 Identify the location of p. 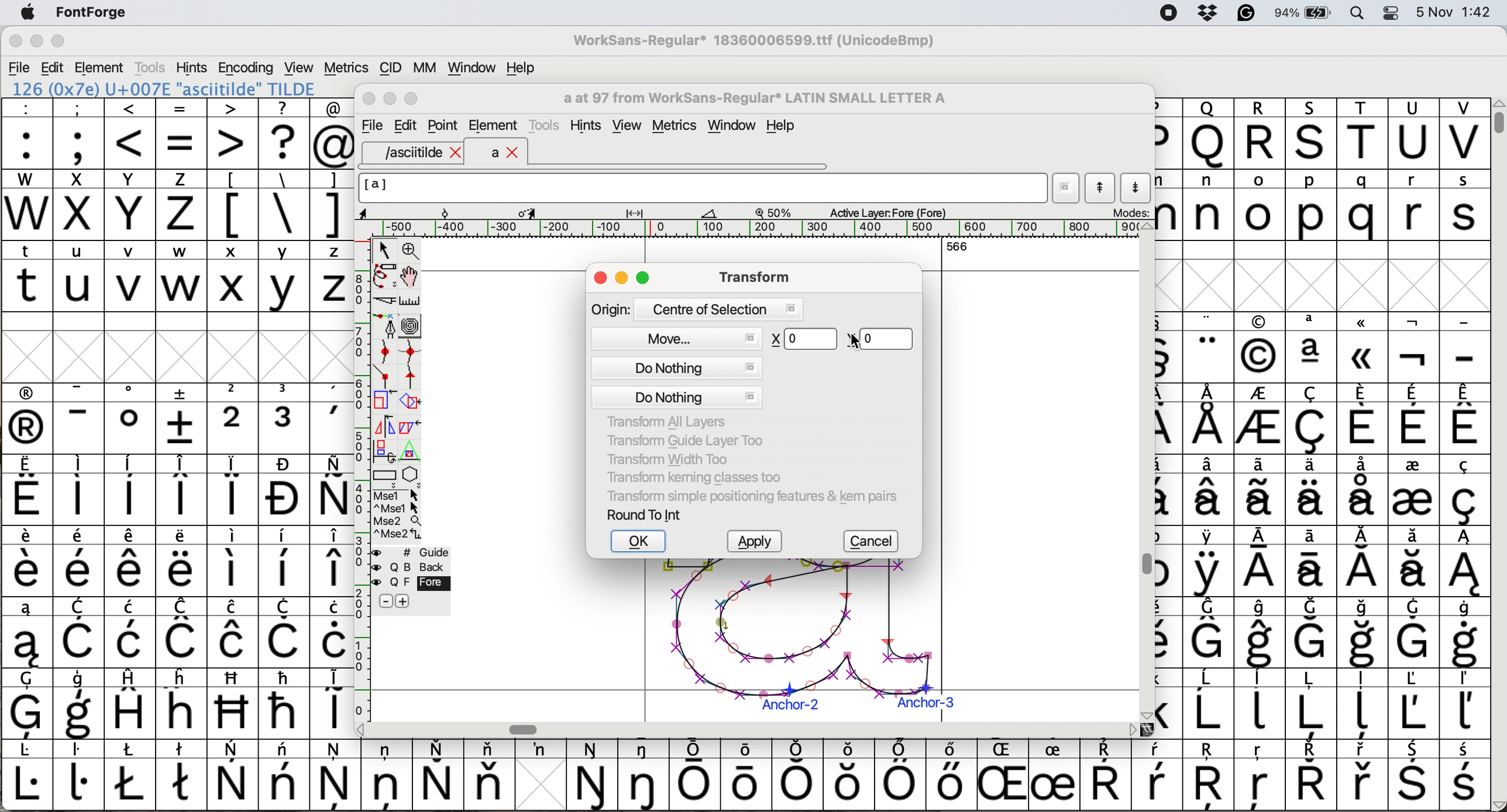
(1312, 207).